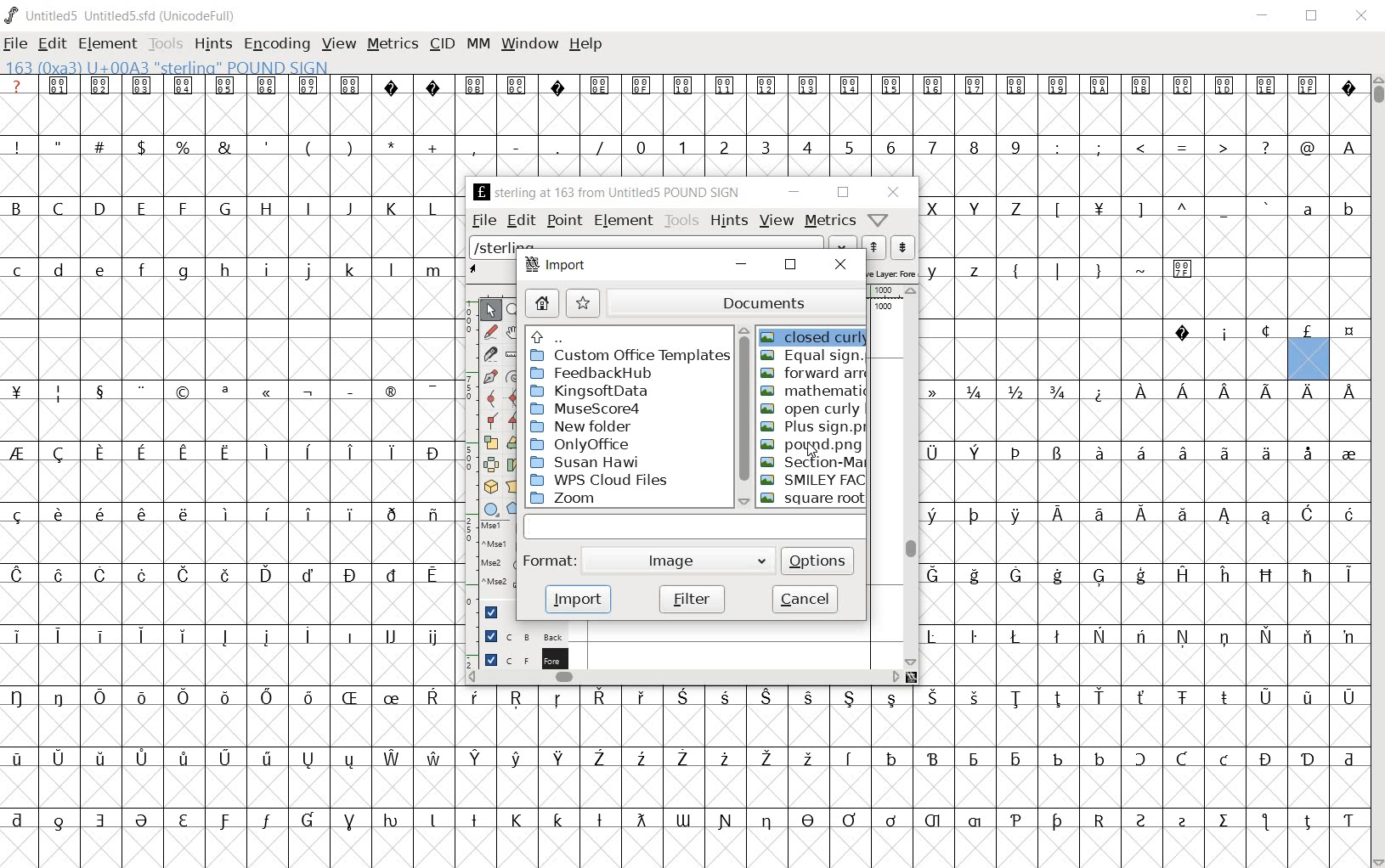  Describe the element at coordinates (818, 560) in the screenshot. I see `options` at that location.